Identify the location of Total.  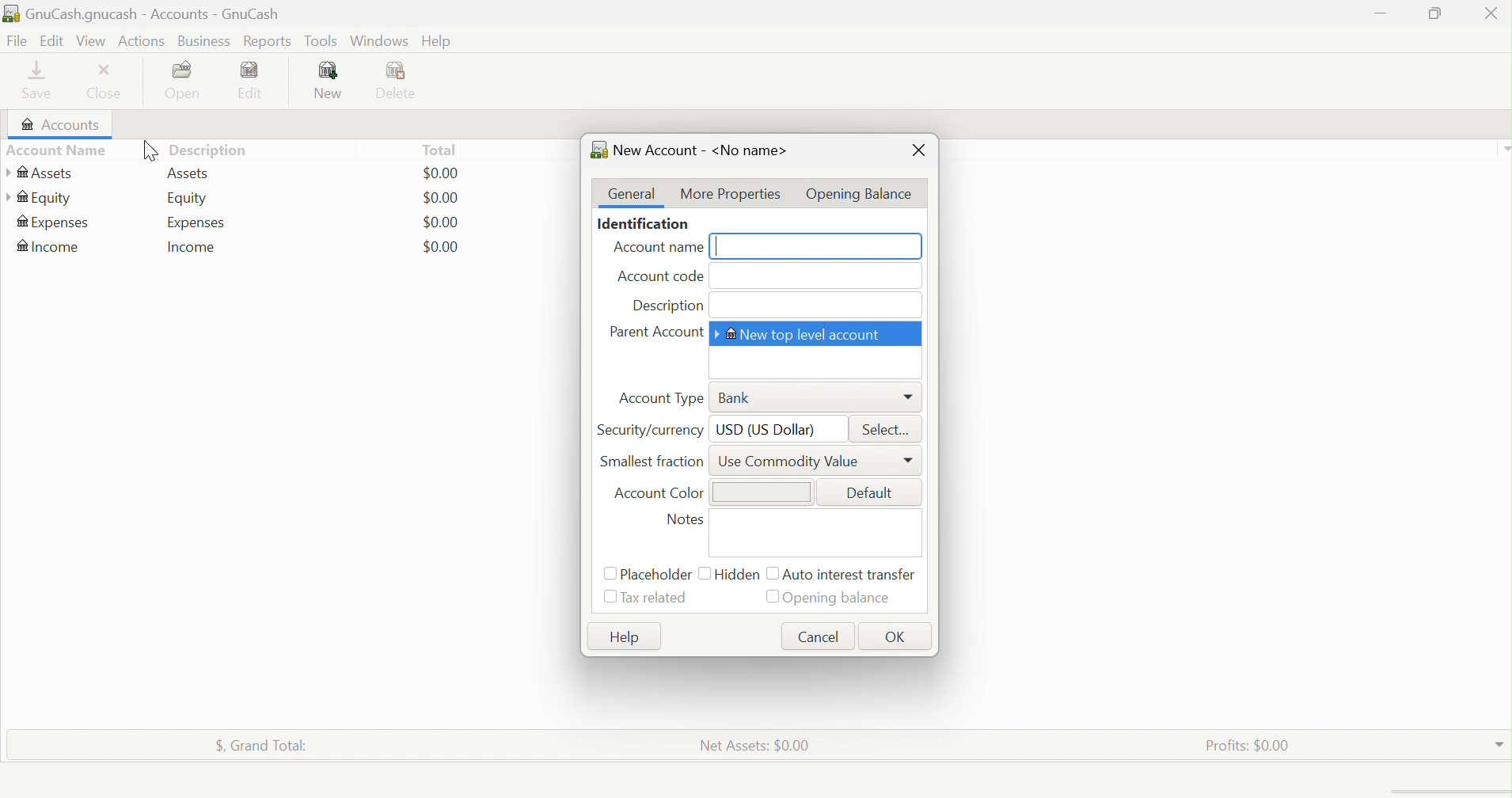
(439, 150).